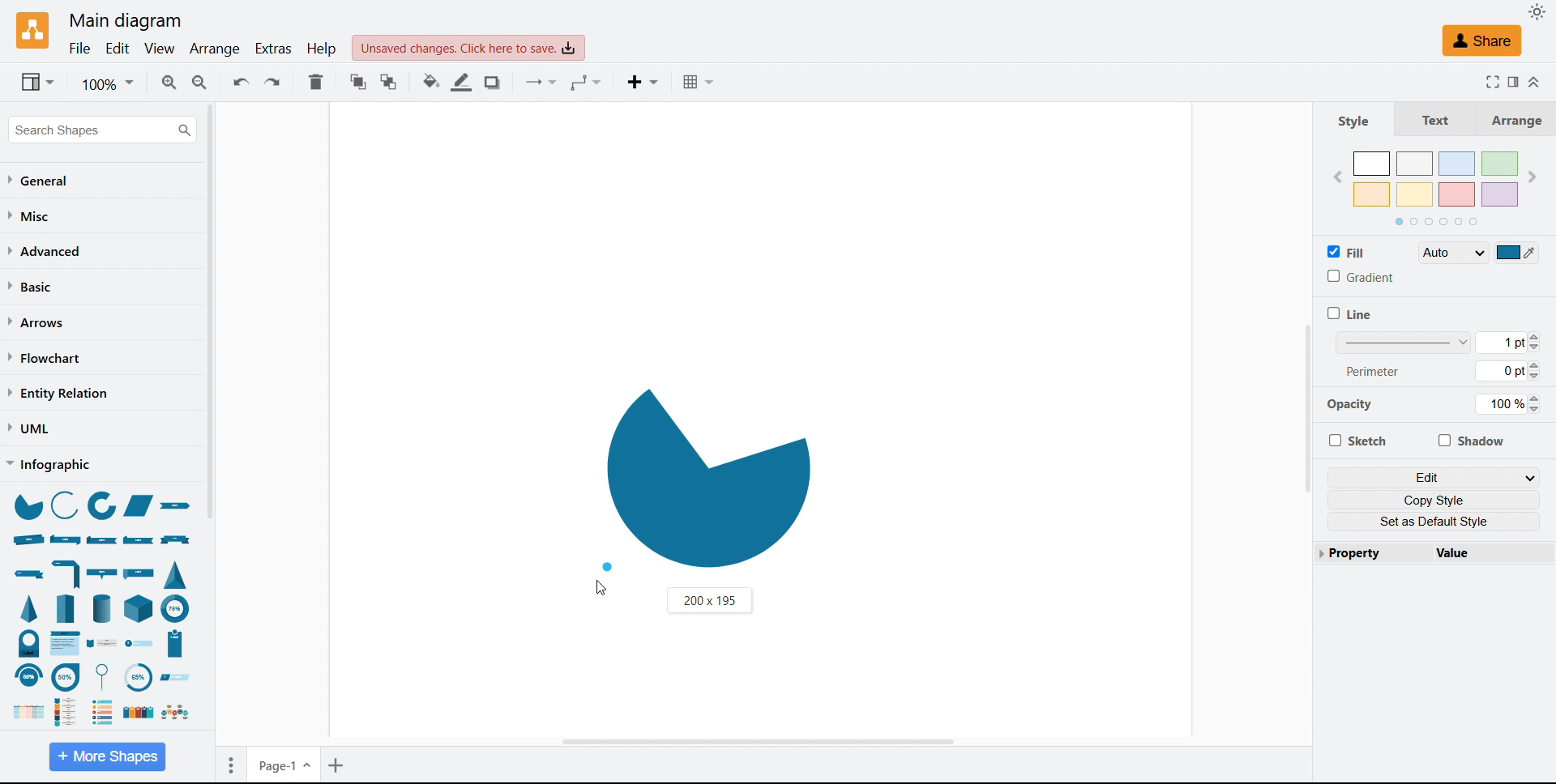 The height and width of the screenshot is (784, 1556). Describe the element at coordinates (1368, 552) in the screenshot. I see `Property ` at that location.